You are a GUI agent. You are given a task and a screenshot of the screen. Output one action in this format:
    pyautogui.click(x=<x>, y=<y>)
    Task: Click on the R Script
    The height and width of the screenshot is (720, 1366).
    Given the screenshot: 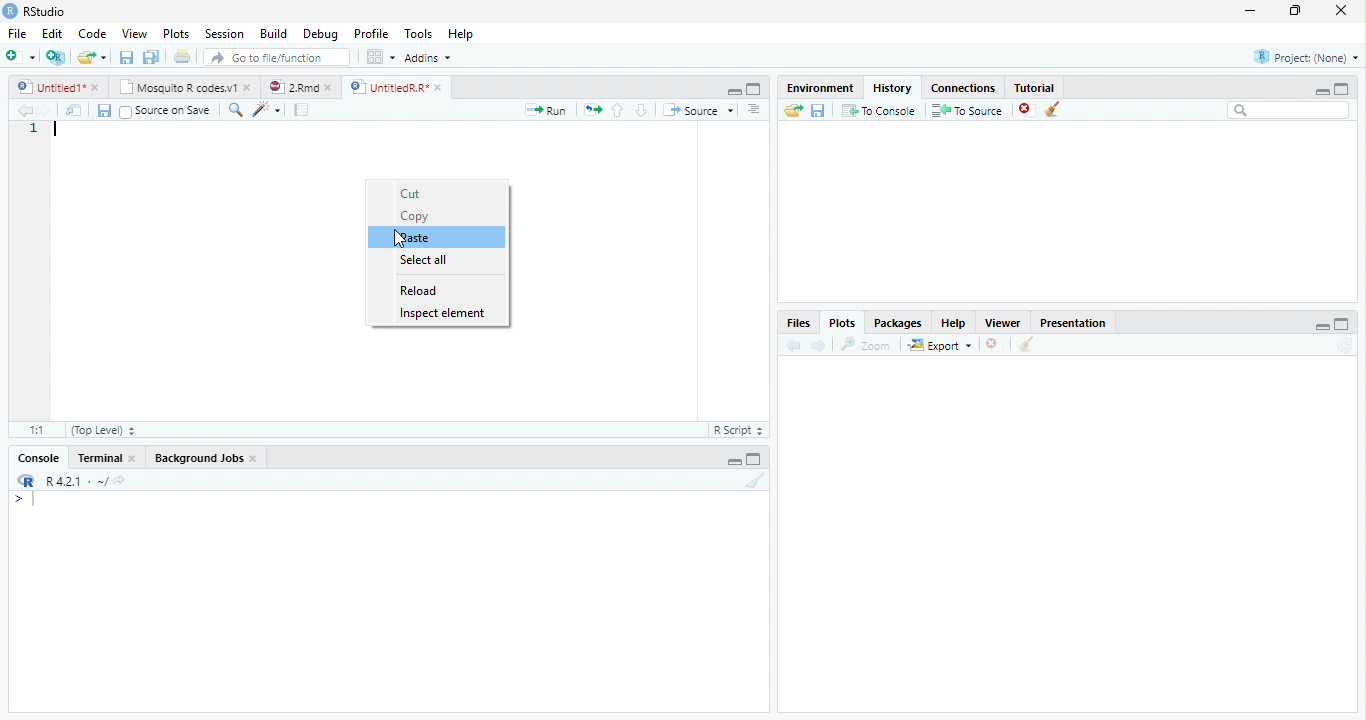 What is the action you would take?
    pyautogui.click(x=739, y=431)
    